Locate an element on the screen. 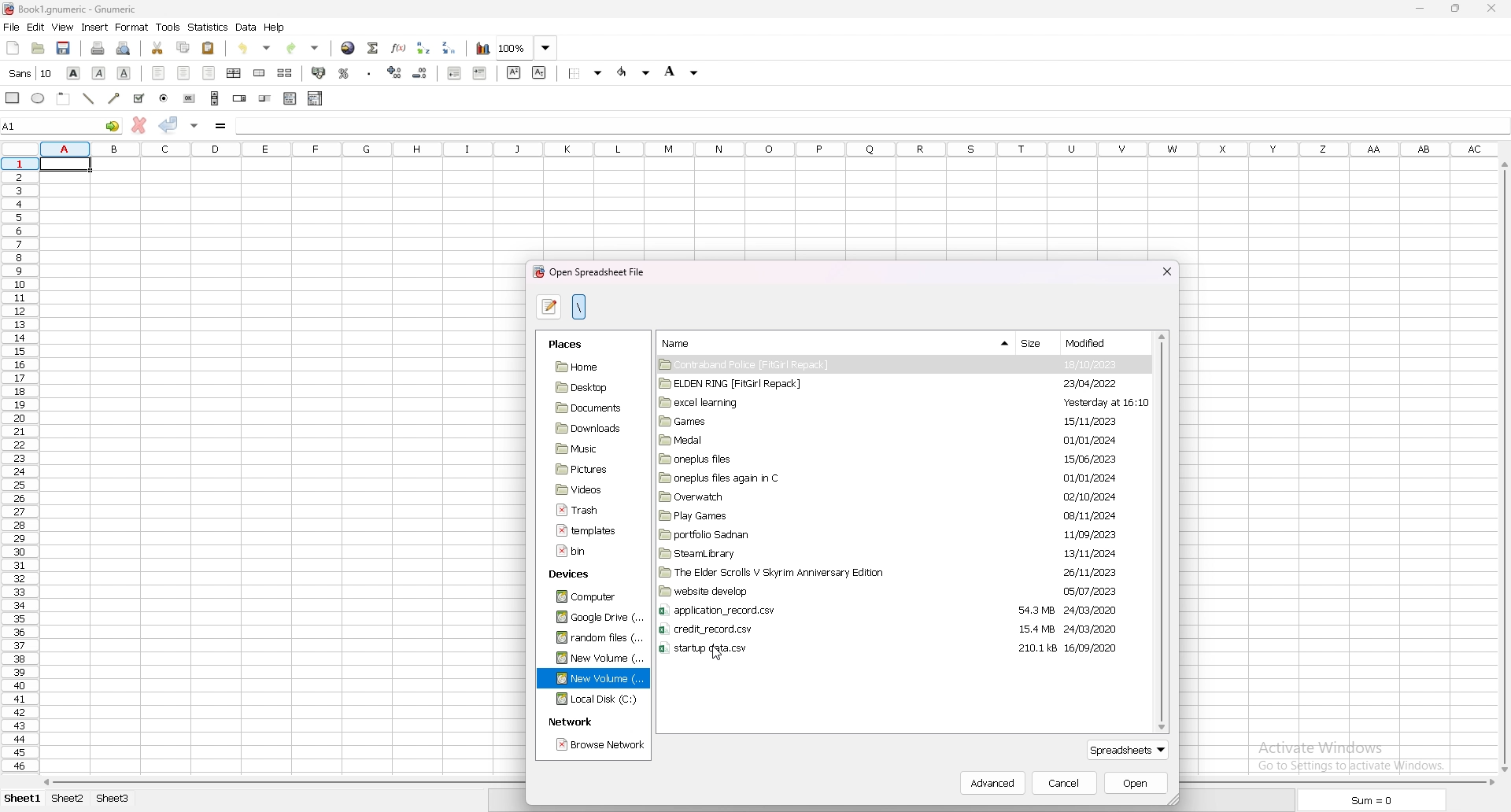 This screenshot has width=1511, height=812. sort ascending is located at coordinates (424, 48).